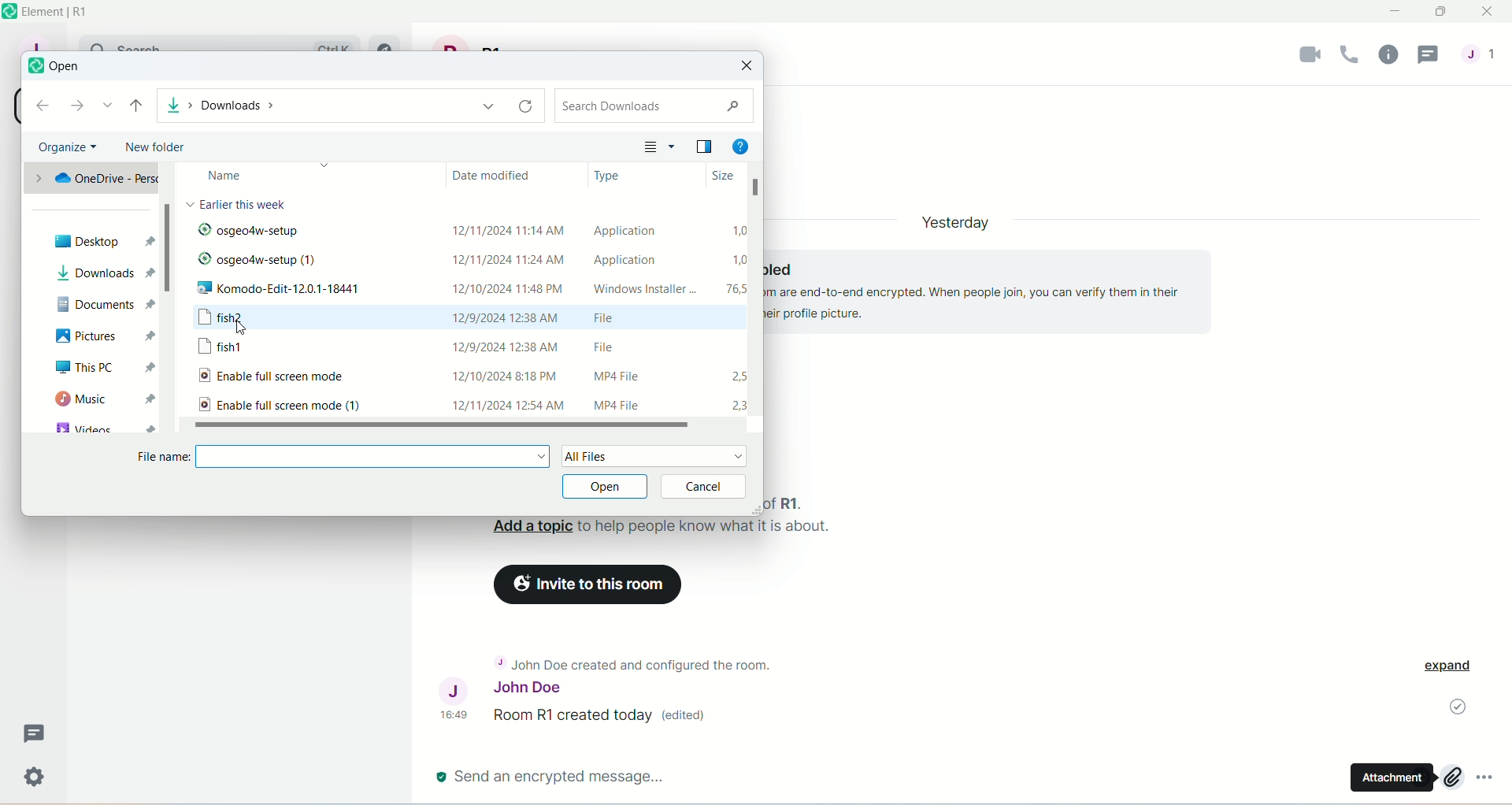 The width and height of the screenshot is (1512, 805). Describe the element at coordinates (1451, 777) in the screenshot. I see `attachment` at that location.